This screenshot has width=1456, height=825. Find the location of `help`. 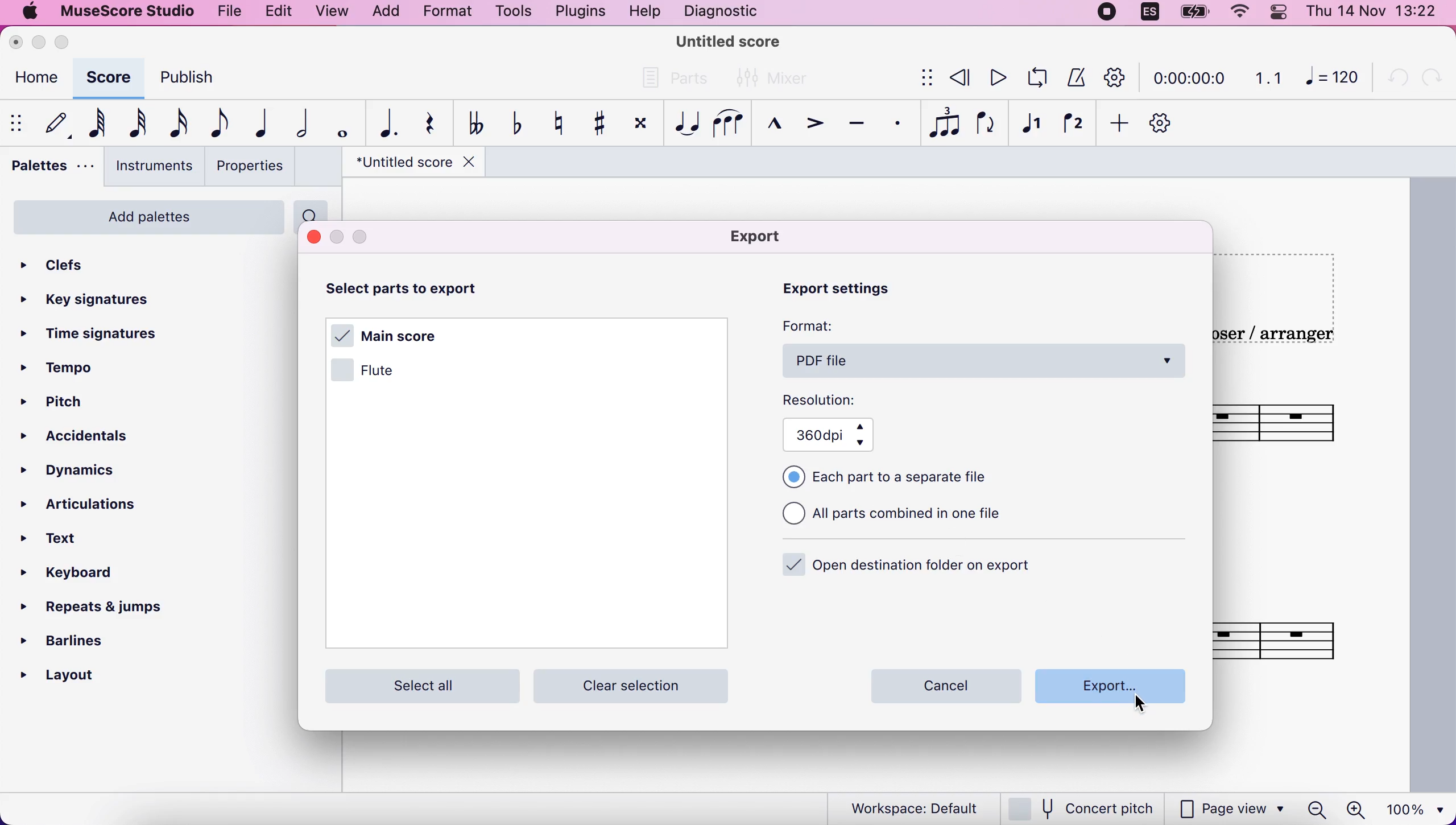

help is located at coordinates (642, 13).